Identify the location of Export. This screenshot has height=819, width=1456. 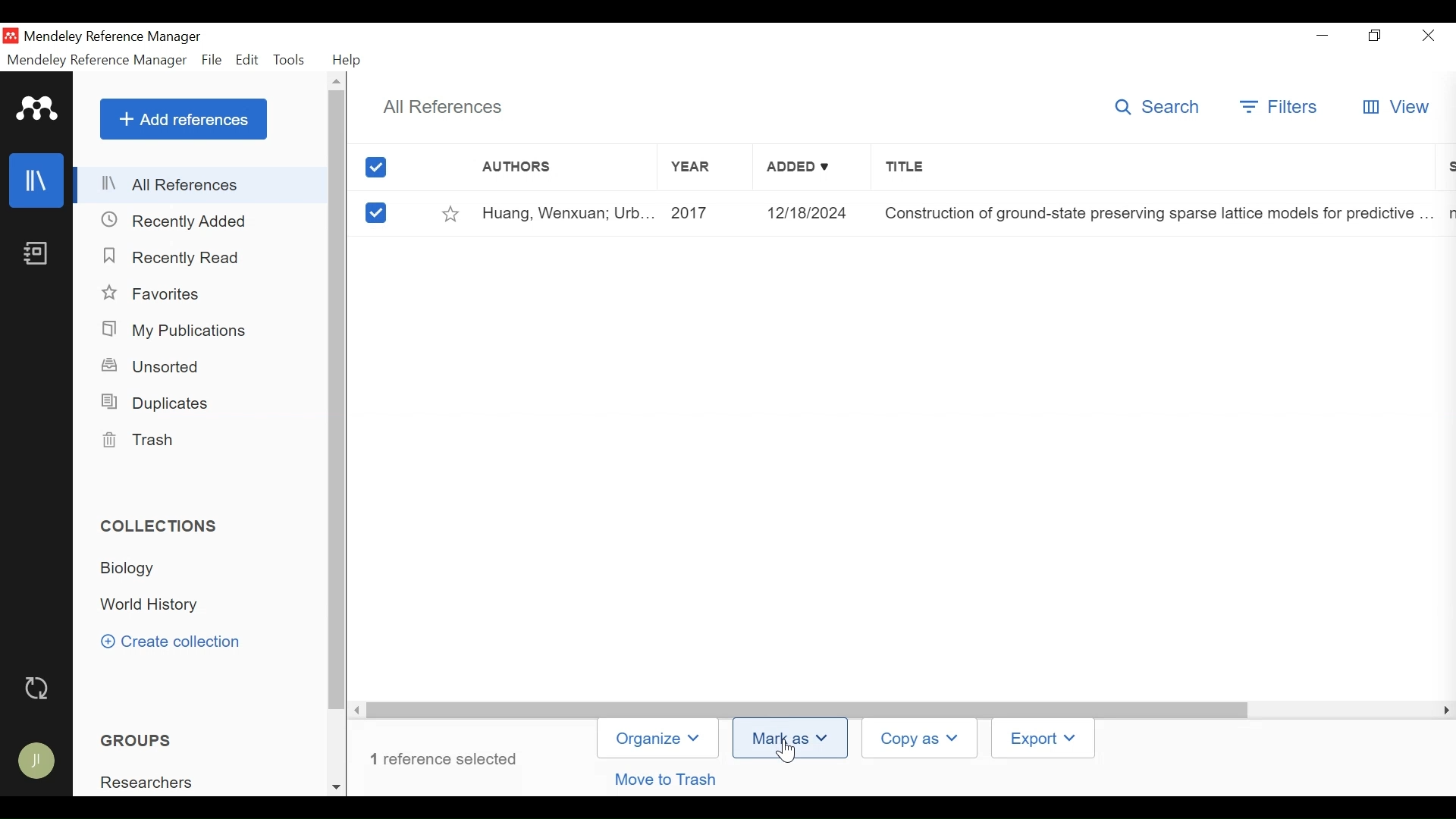
(1043, 739).